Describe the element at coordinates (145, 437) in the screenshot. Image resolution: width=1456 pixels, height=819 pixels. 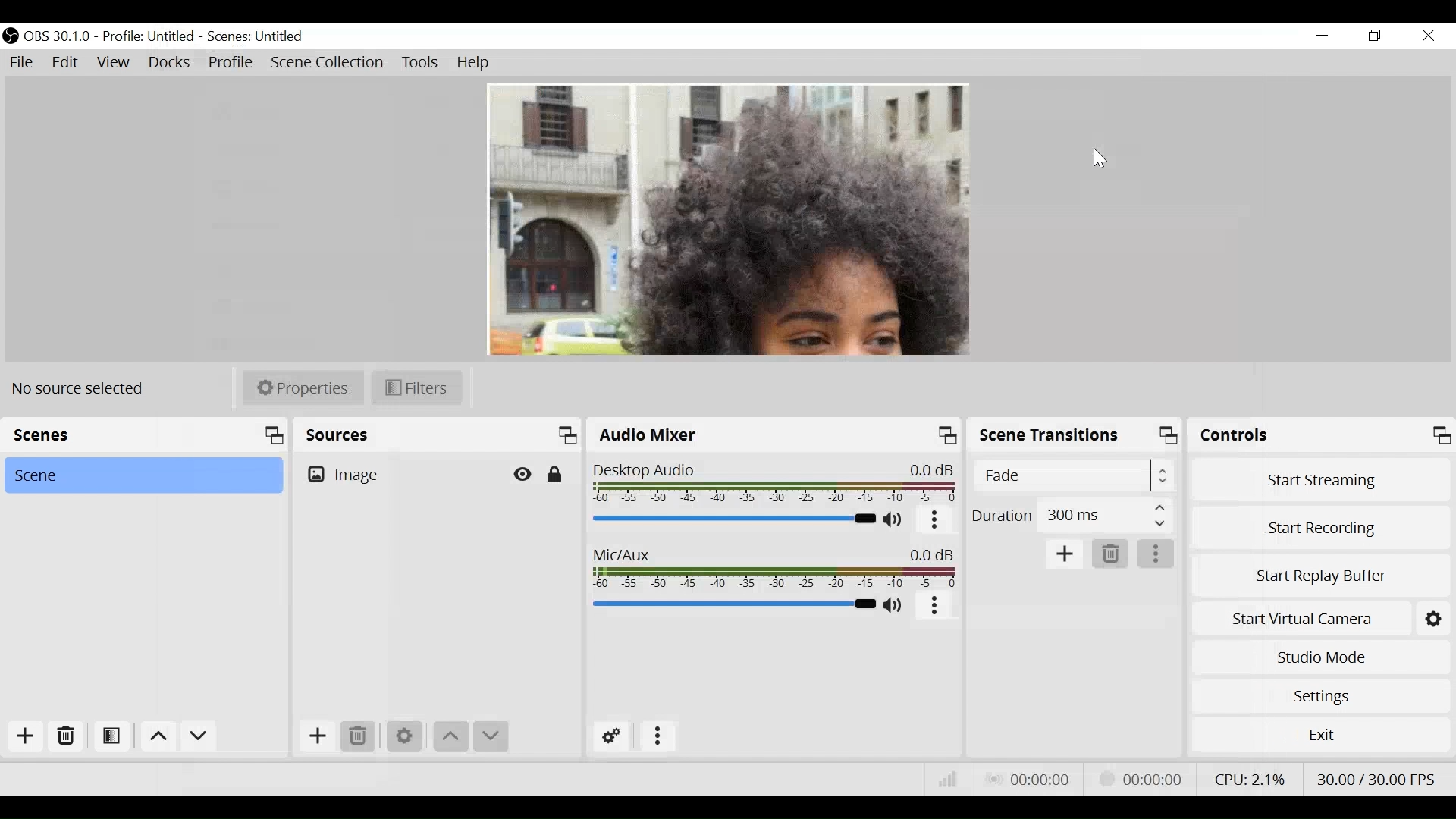
I see `Scenes` at that location.